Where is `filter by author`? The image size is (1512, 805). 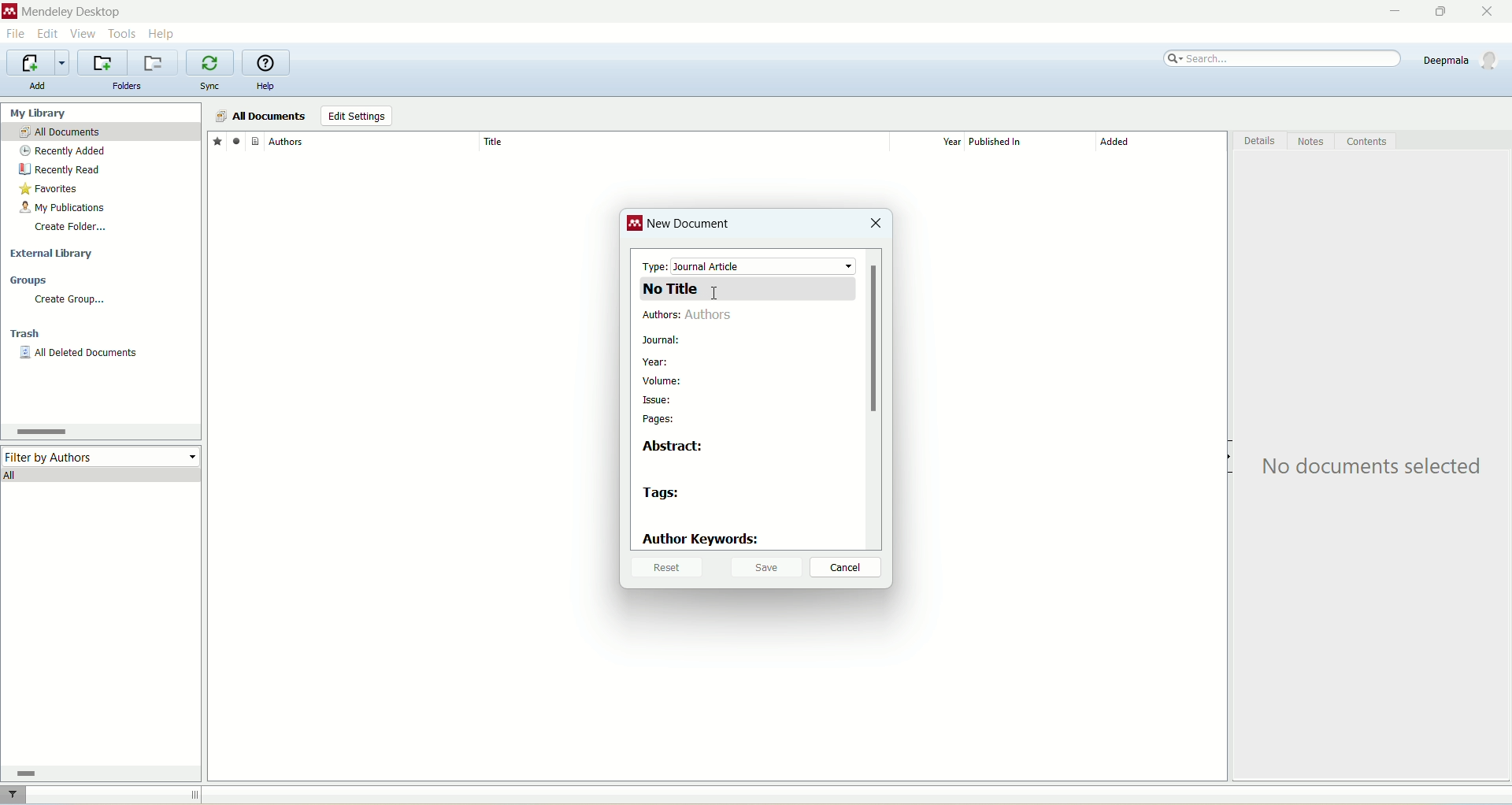 filter by author is located at coordinates (102, 455).